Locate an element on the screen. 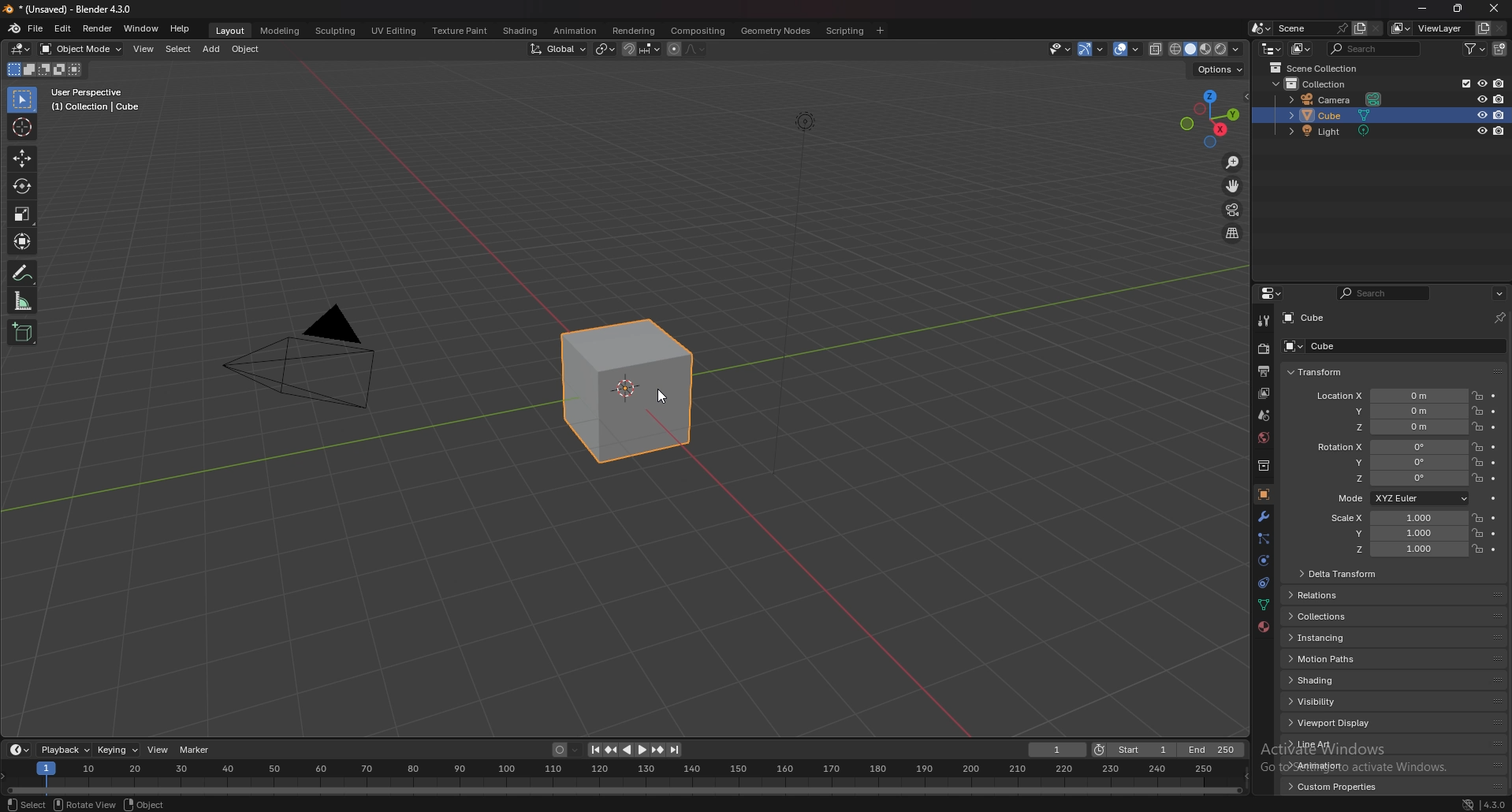 The width and height of the screenshot is (1512, 812). transform orientation is located at coordinates (557, 50).